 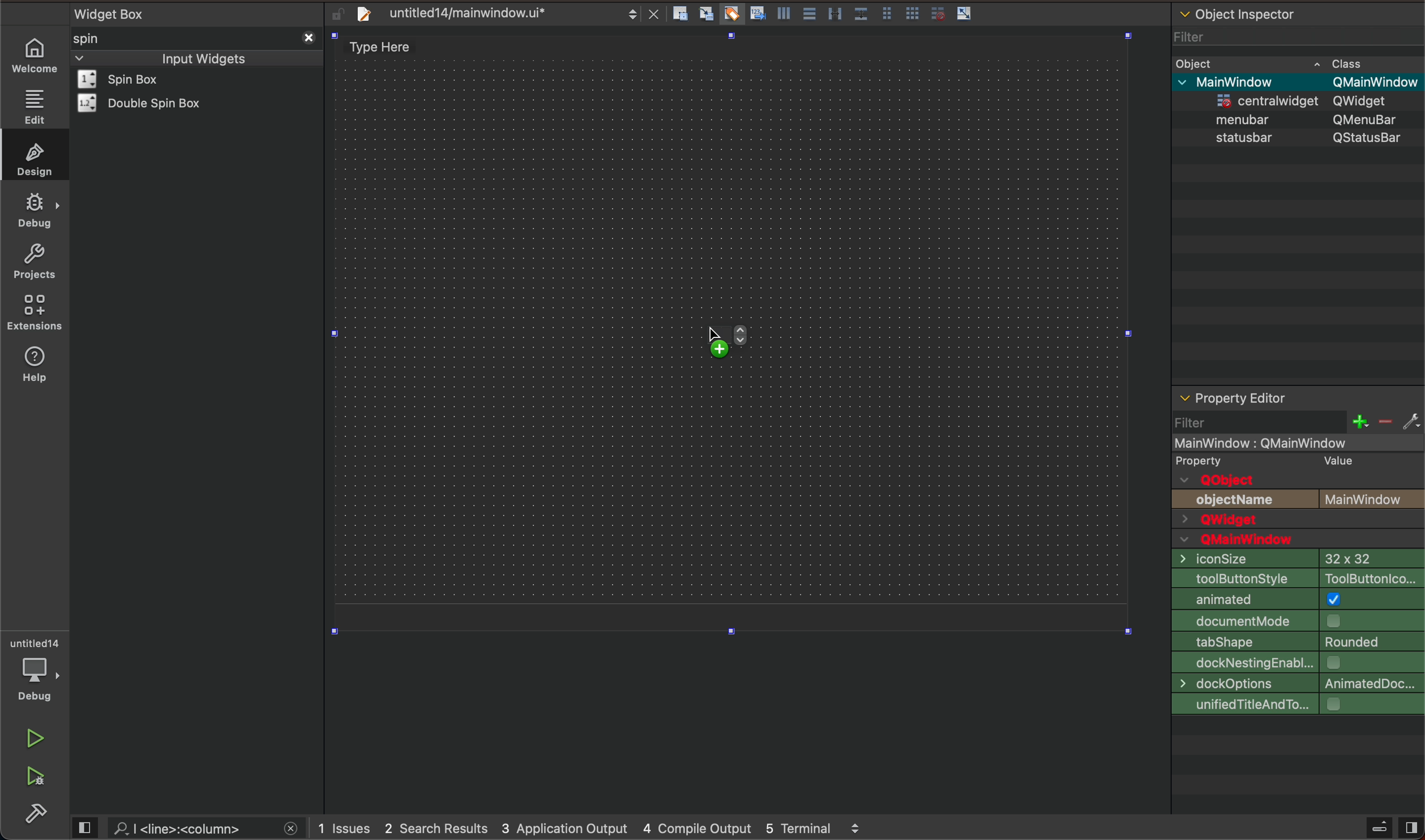 I want to click on text, so click(x=1223, y=480).